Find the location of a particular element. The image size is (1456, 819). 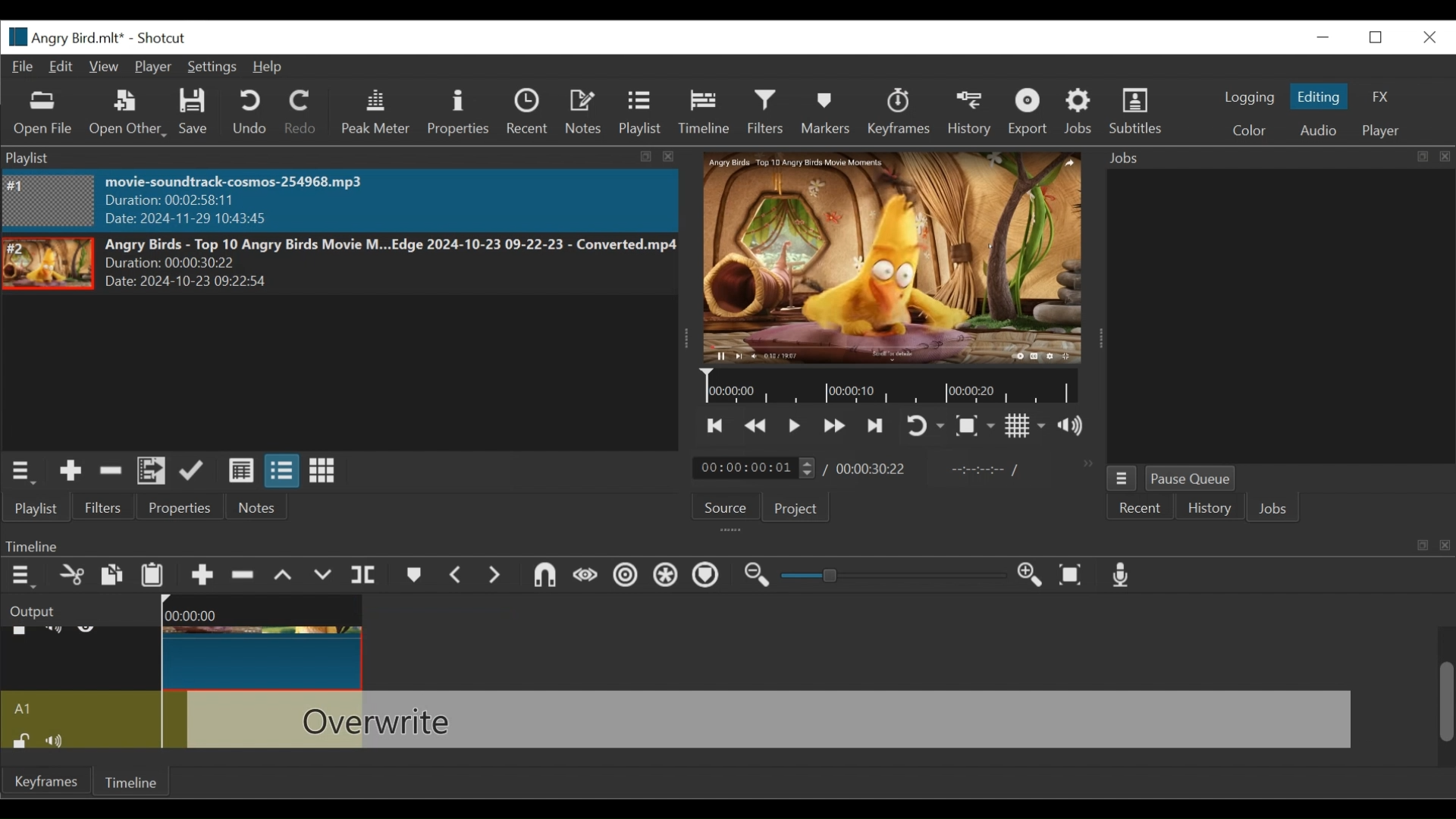

Open Other is located at coordinates (128, 114).